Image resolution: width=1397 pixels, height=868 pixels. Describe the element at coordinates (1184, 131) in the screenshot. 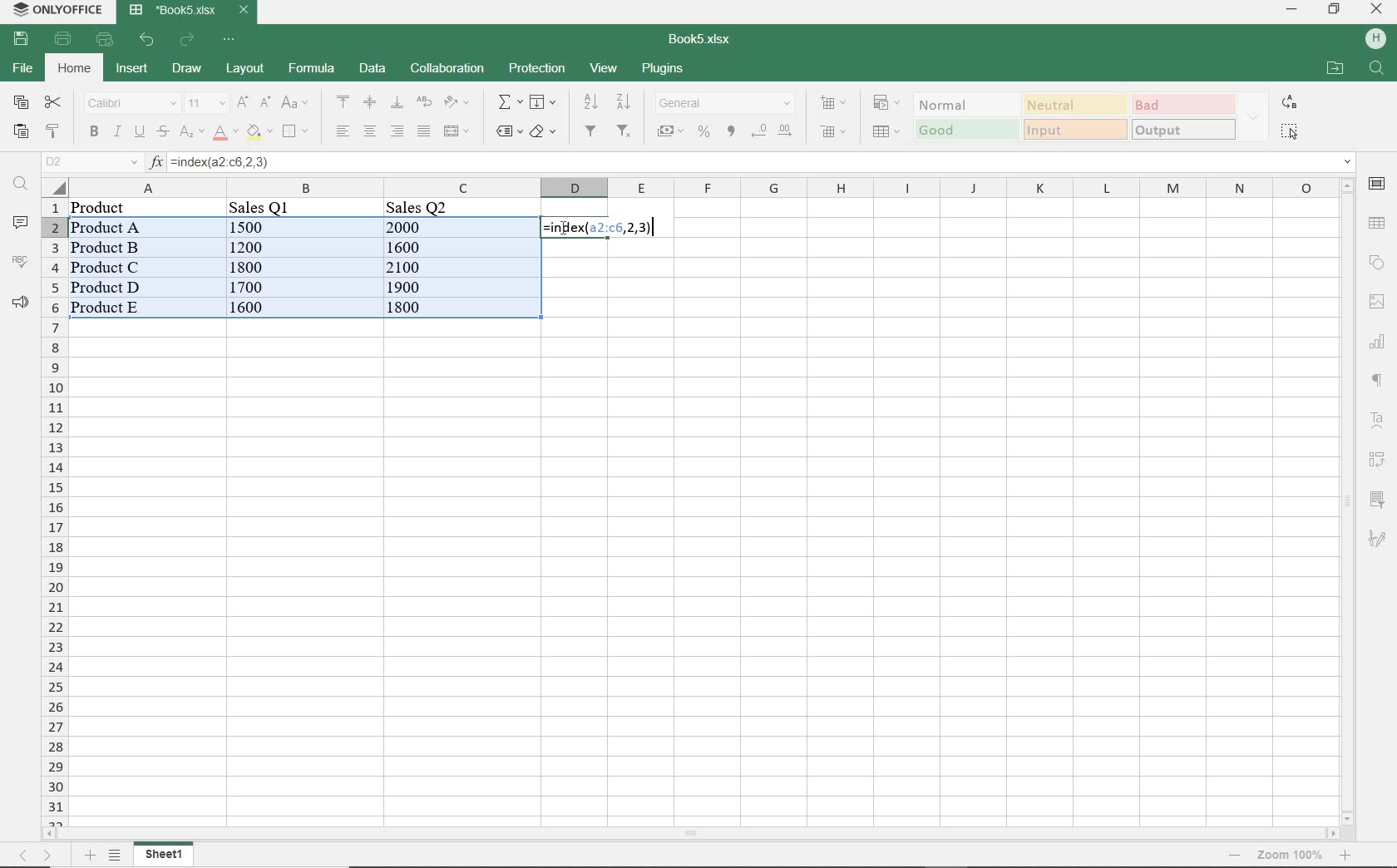

I see `output` at that location.